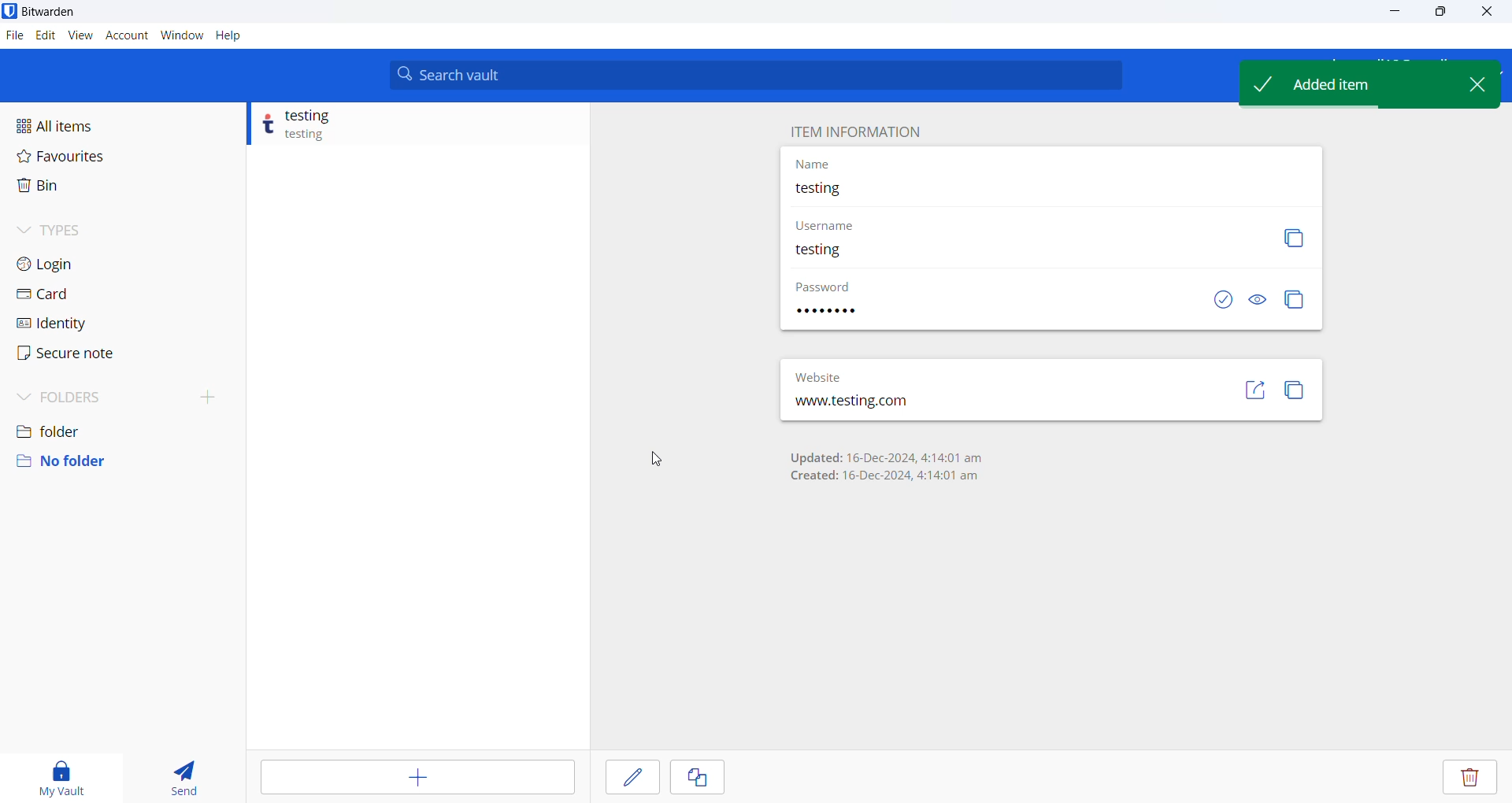 This screenshot has width=1512, height=803. Describe the element at coordinates (839, 314) in the screenshot. I see `password` at that location.